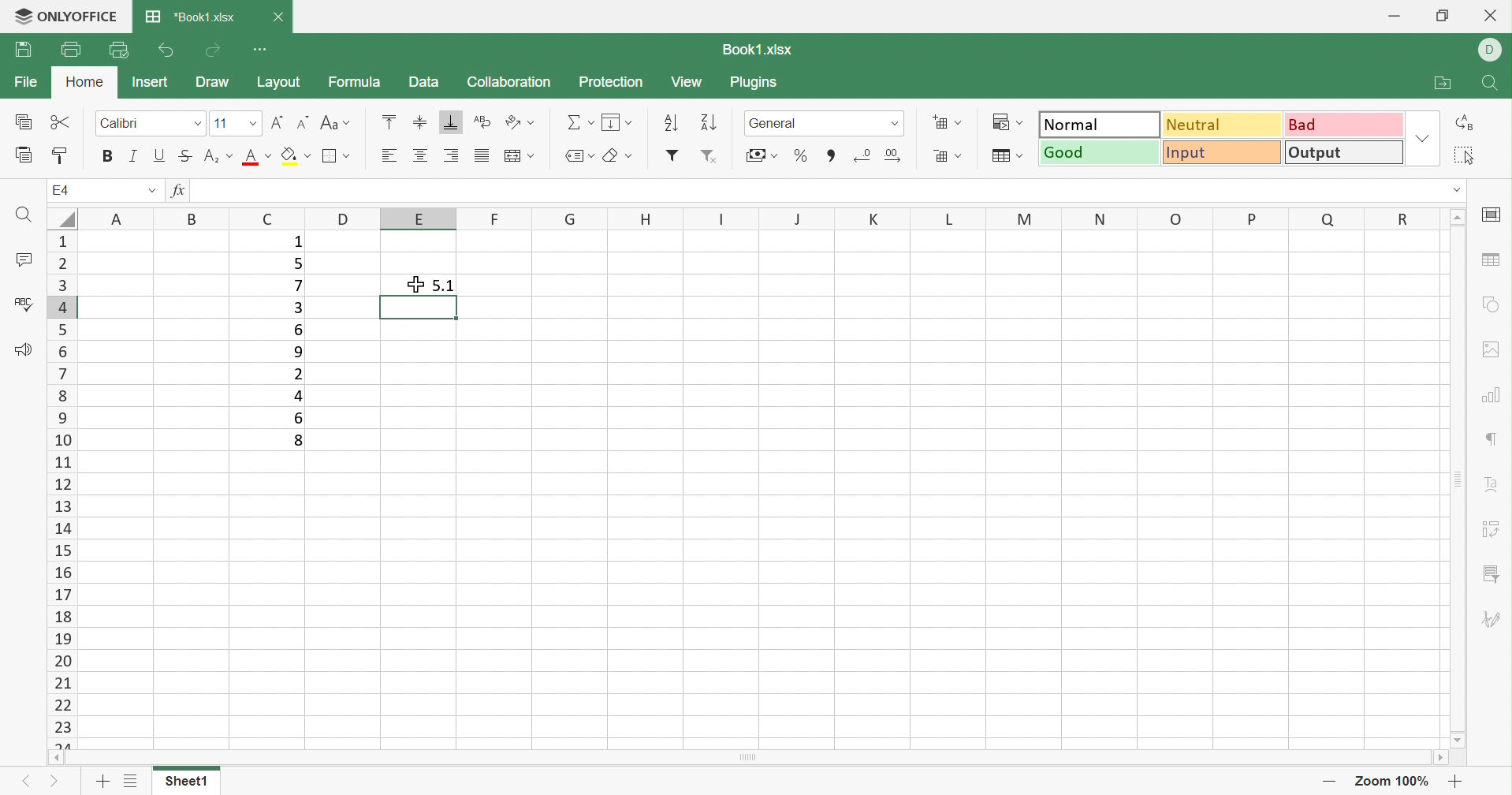 Image resolution: width=1512 pixels, height=795 pixels. Describe the element at coordinates (296, 441) in the screenshot. I see `8` at that location.